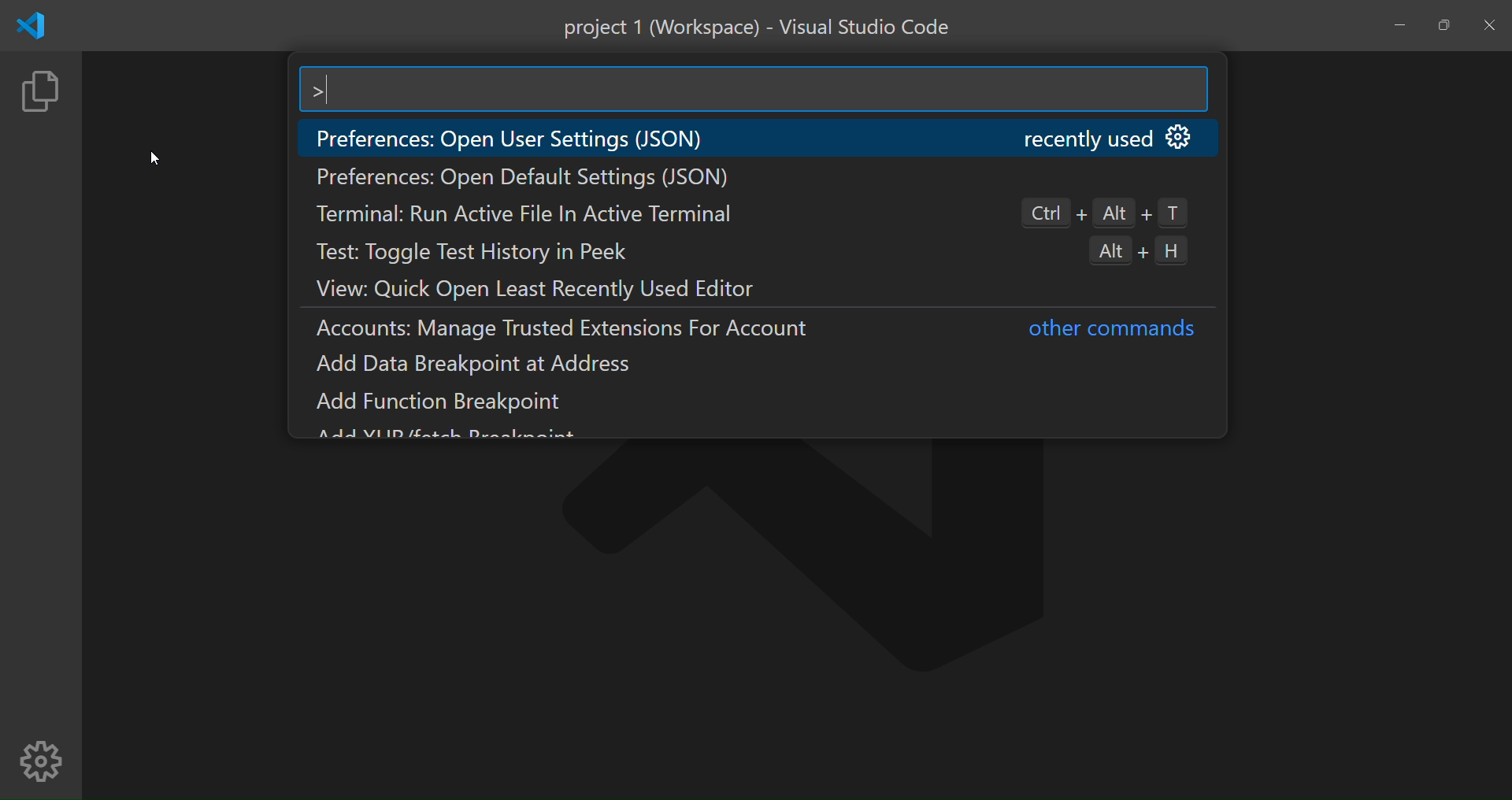 This screenshot has width=1512, height=800. What do you see at coordinates (1492, 27) in the screenshot?
I see `close` at bounding box center [1492, 27].